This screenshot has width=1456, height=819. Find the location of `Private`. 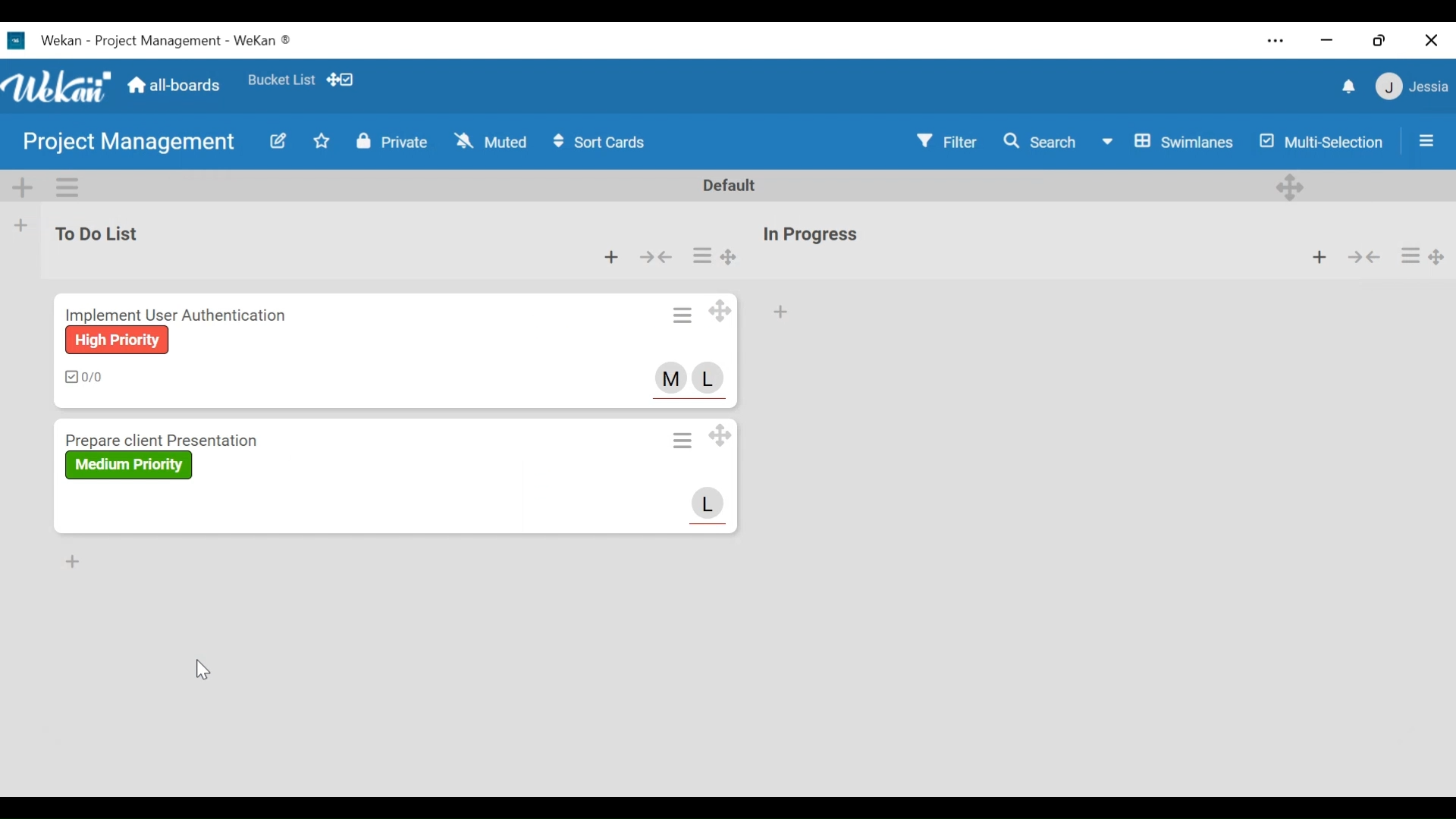

Private is located at coordinates (392, 142).